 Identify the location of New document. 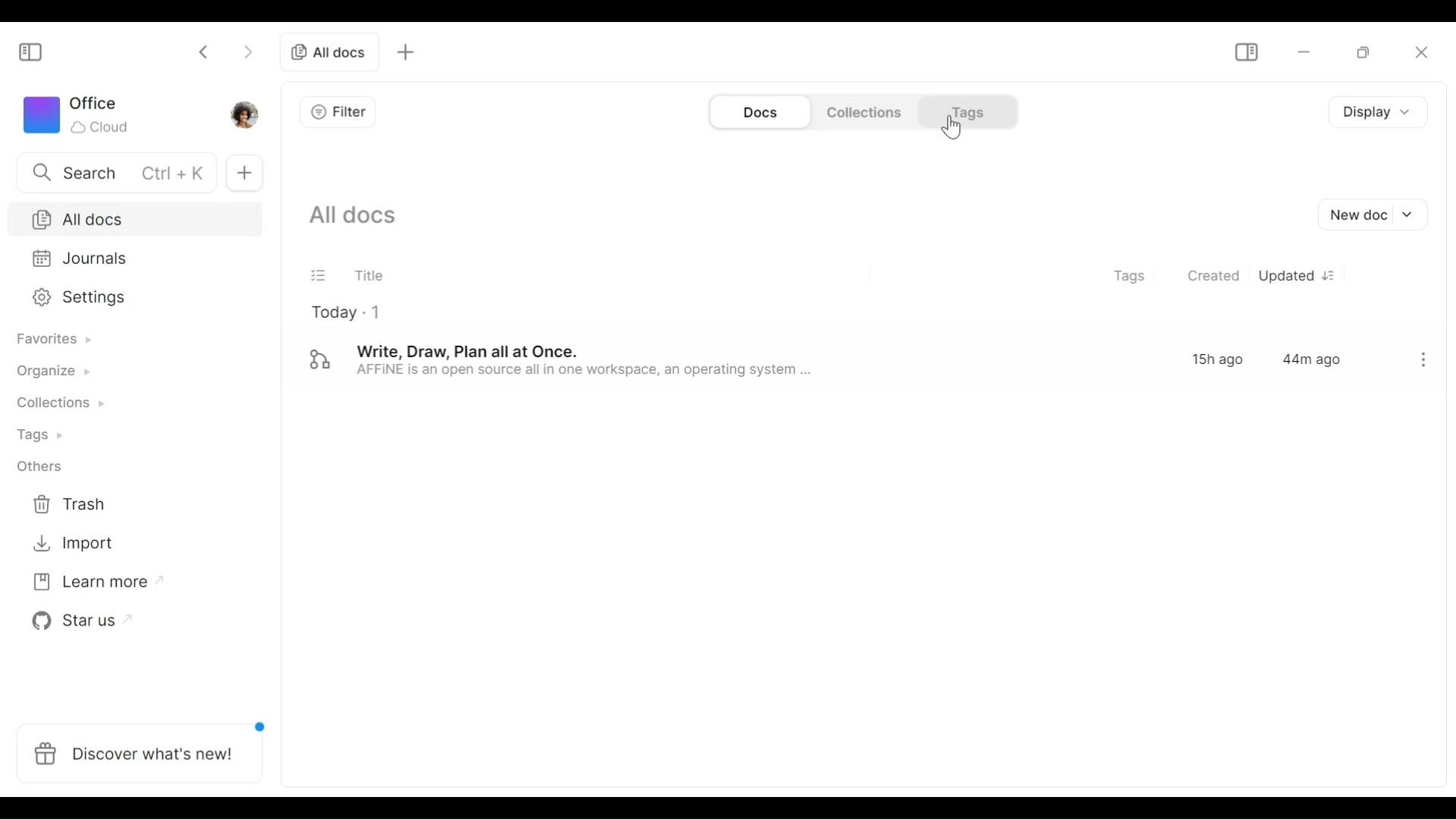
(1363, 214).